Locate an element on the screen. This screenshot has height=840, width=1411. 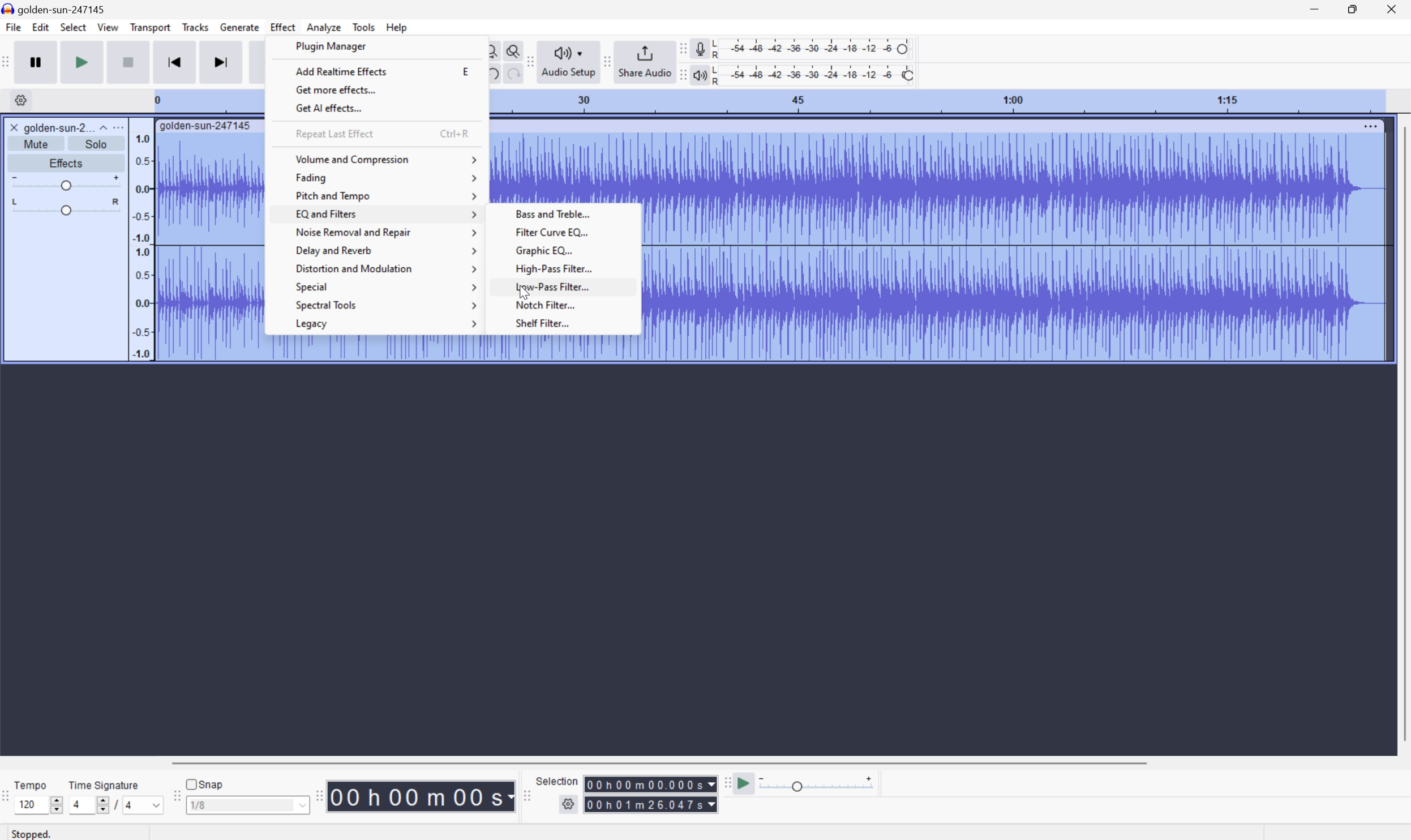
Play back speed is located at coordinates (820, 783).